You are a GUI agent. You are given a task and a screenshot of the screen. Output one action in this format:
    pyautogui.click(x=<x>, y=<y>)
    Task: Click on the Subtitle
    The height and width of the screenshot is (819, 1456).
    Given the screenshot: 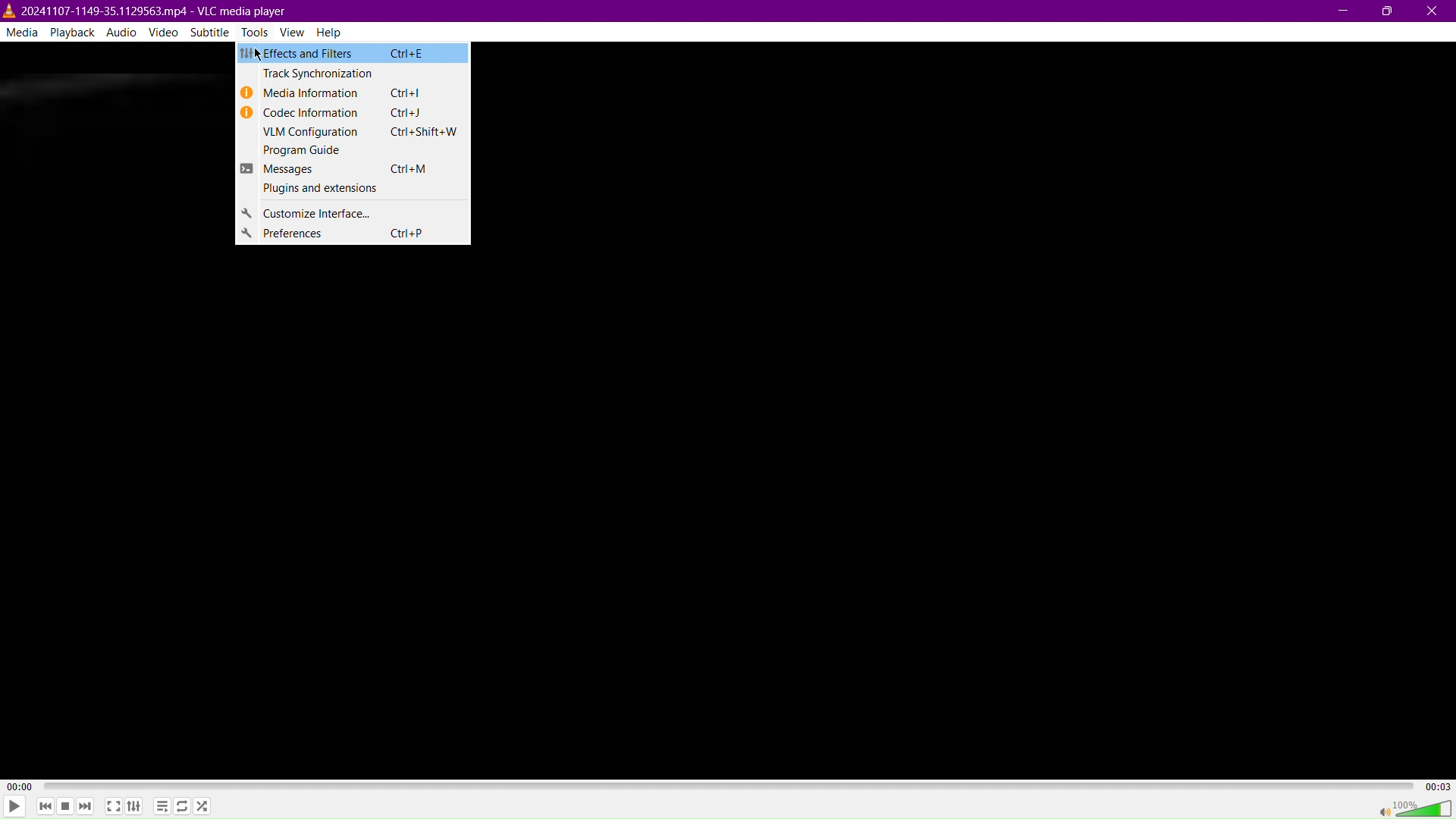 What is the action you would take?
    pyautogui.click(x=211, y=32)
    